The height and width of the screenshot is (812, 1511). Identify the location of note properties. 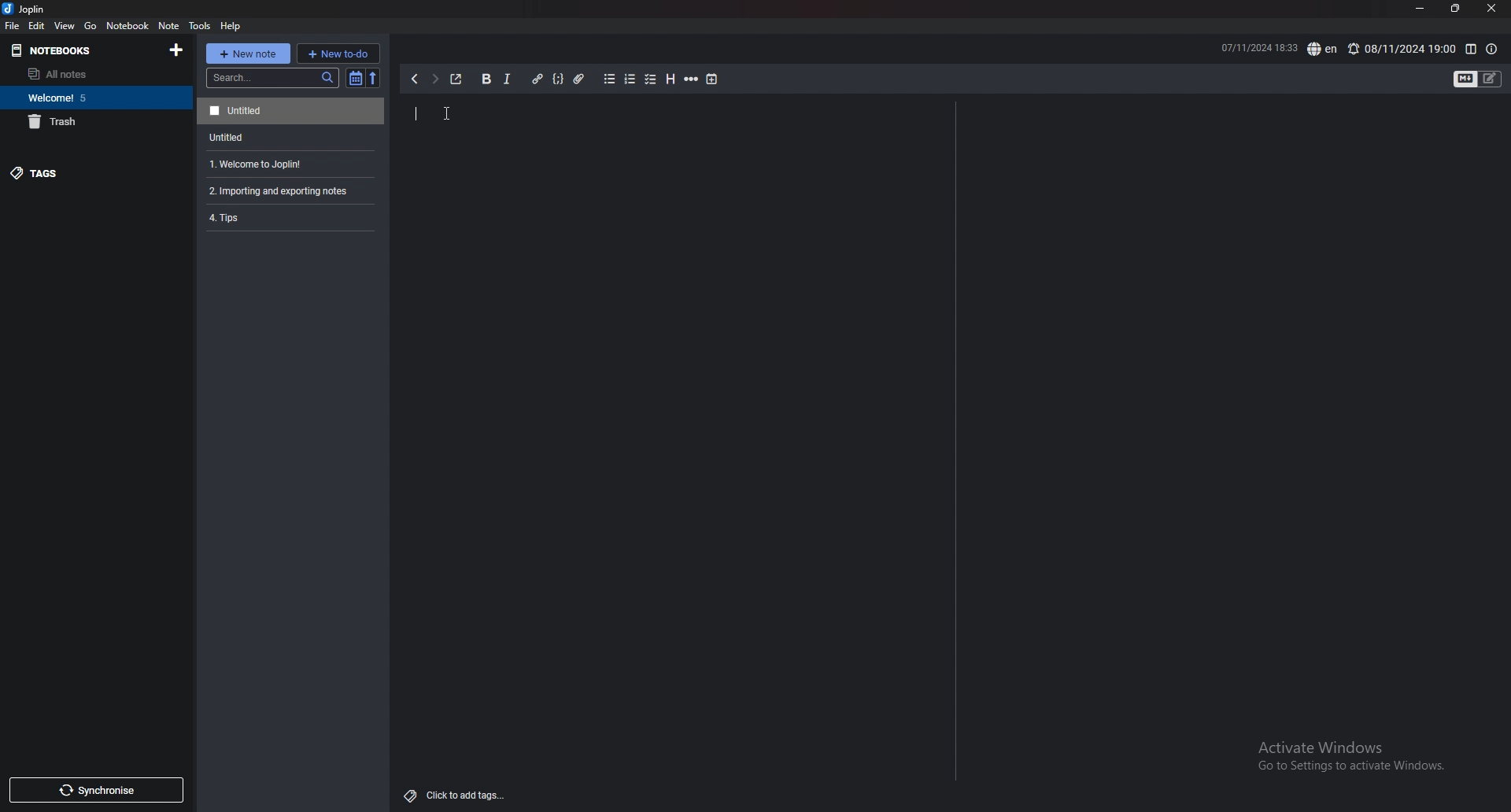
(1491, 50).